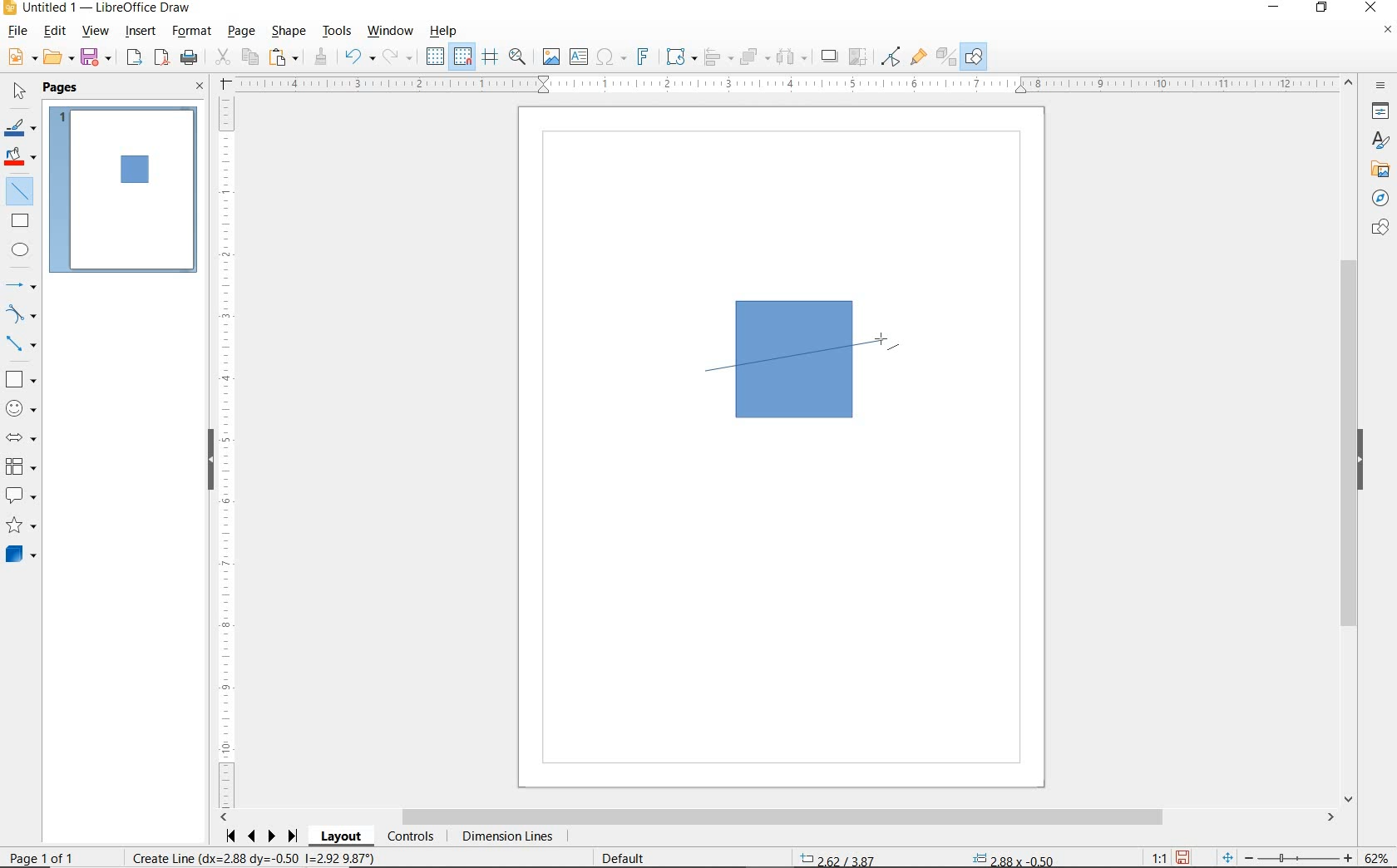 Image resolution: width=1397 pixels, height=868 pixels. What do you see at coordinates (629, 859) in the screenshot?
I see `DEFAULT` at bounding box center [629, 859].